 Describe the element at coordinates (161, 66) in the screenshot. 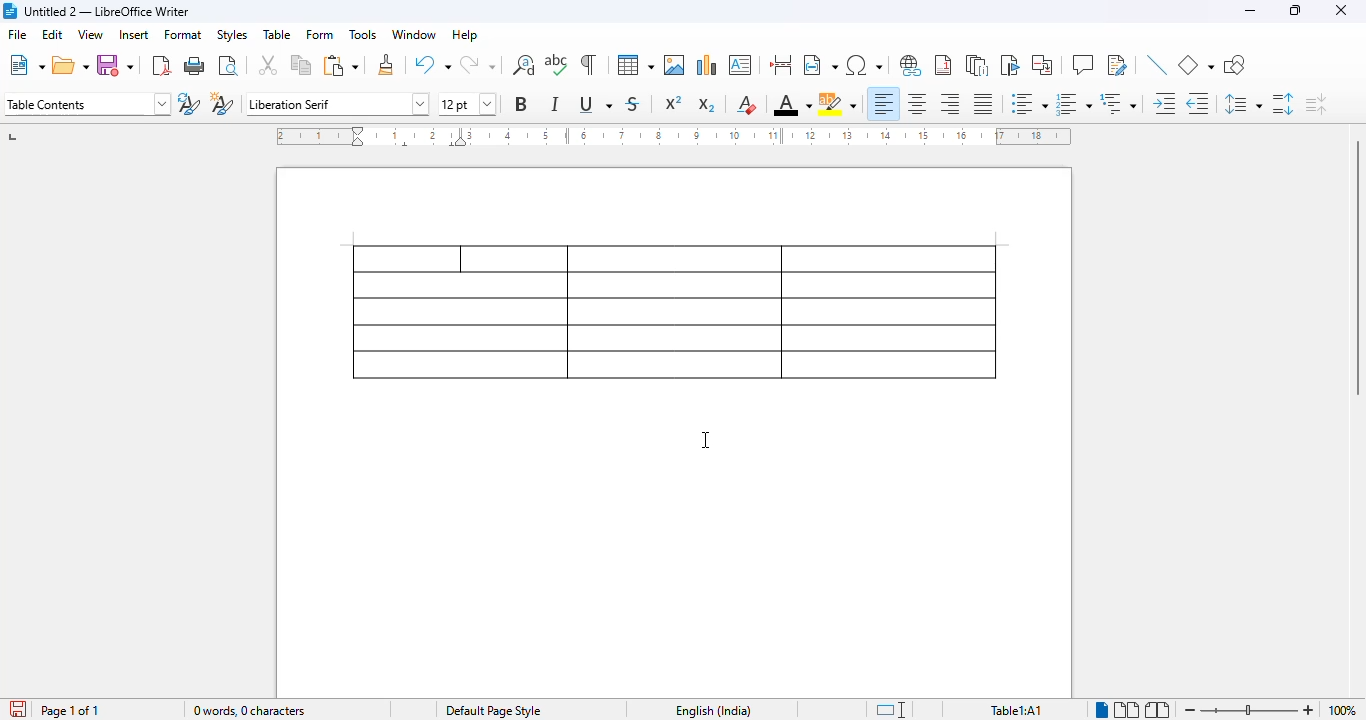

I see `export directly as PDF` at that location.